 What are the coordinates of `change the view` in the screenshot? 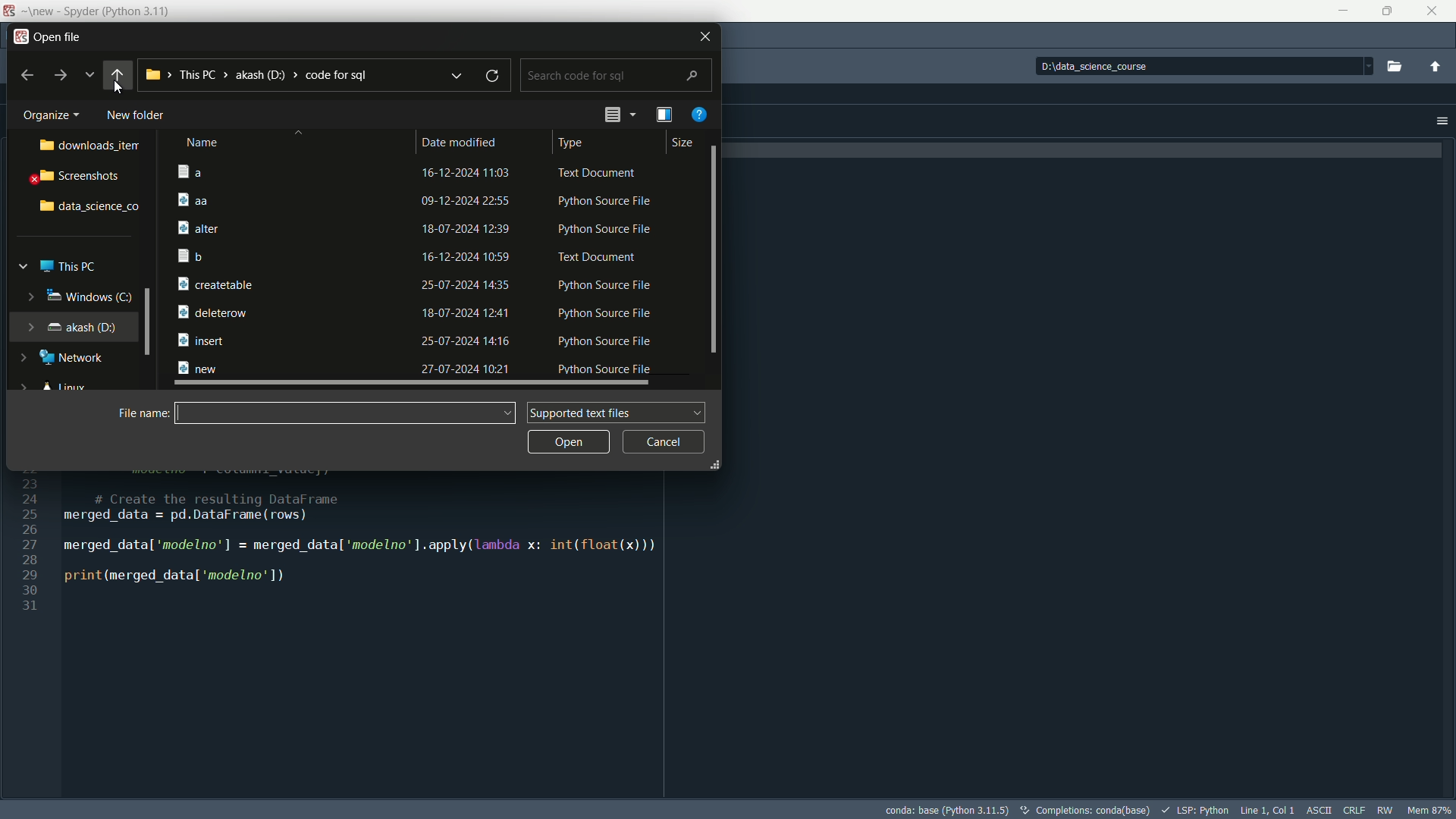 It's located at (617, 114).